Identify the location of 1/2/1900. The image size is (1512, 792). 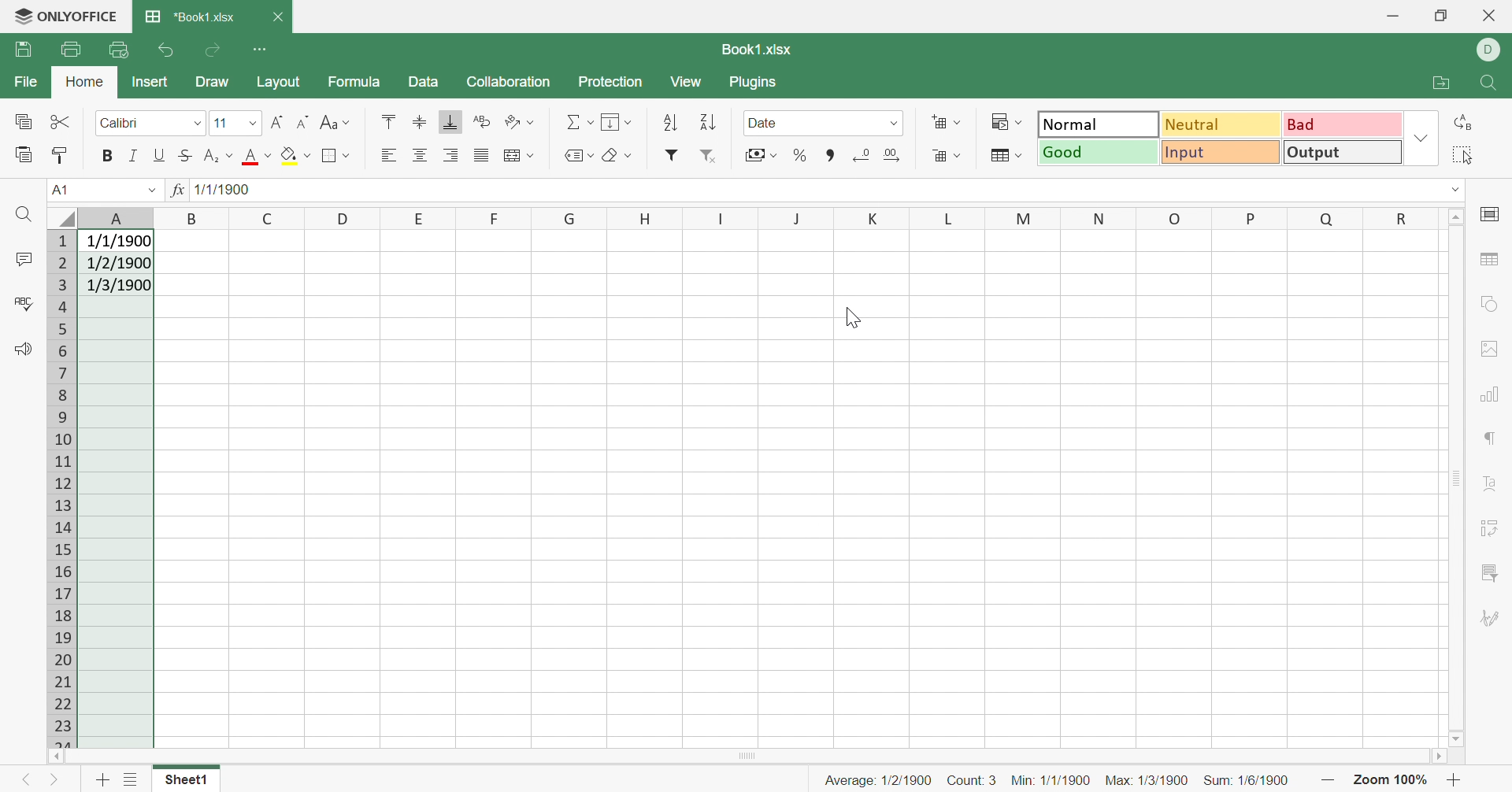
(117, 261).